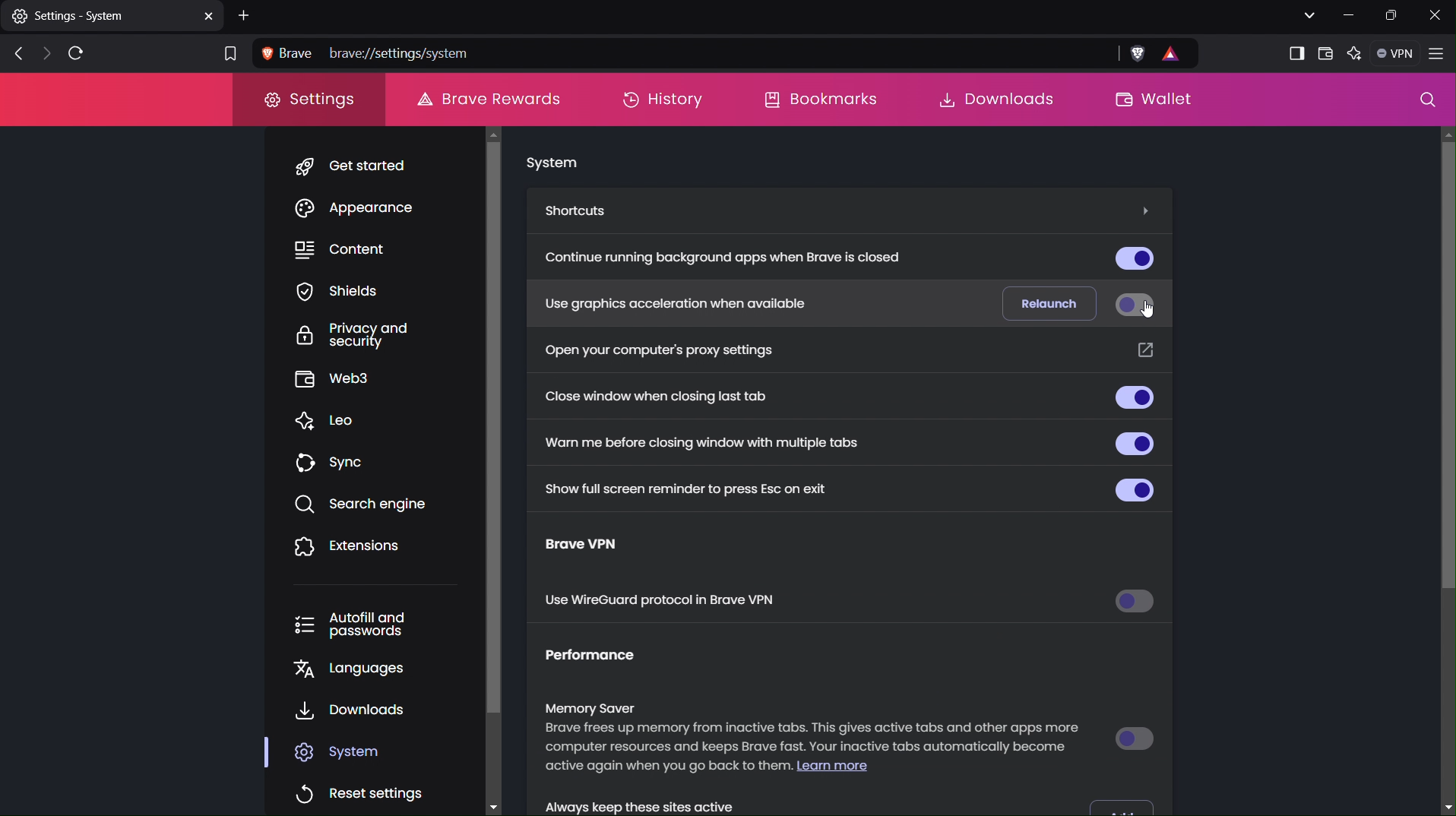  I want to click on Continue running background apps when Brave is closed, so click(730, 259).